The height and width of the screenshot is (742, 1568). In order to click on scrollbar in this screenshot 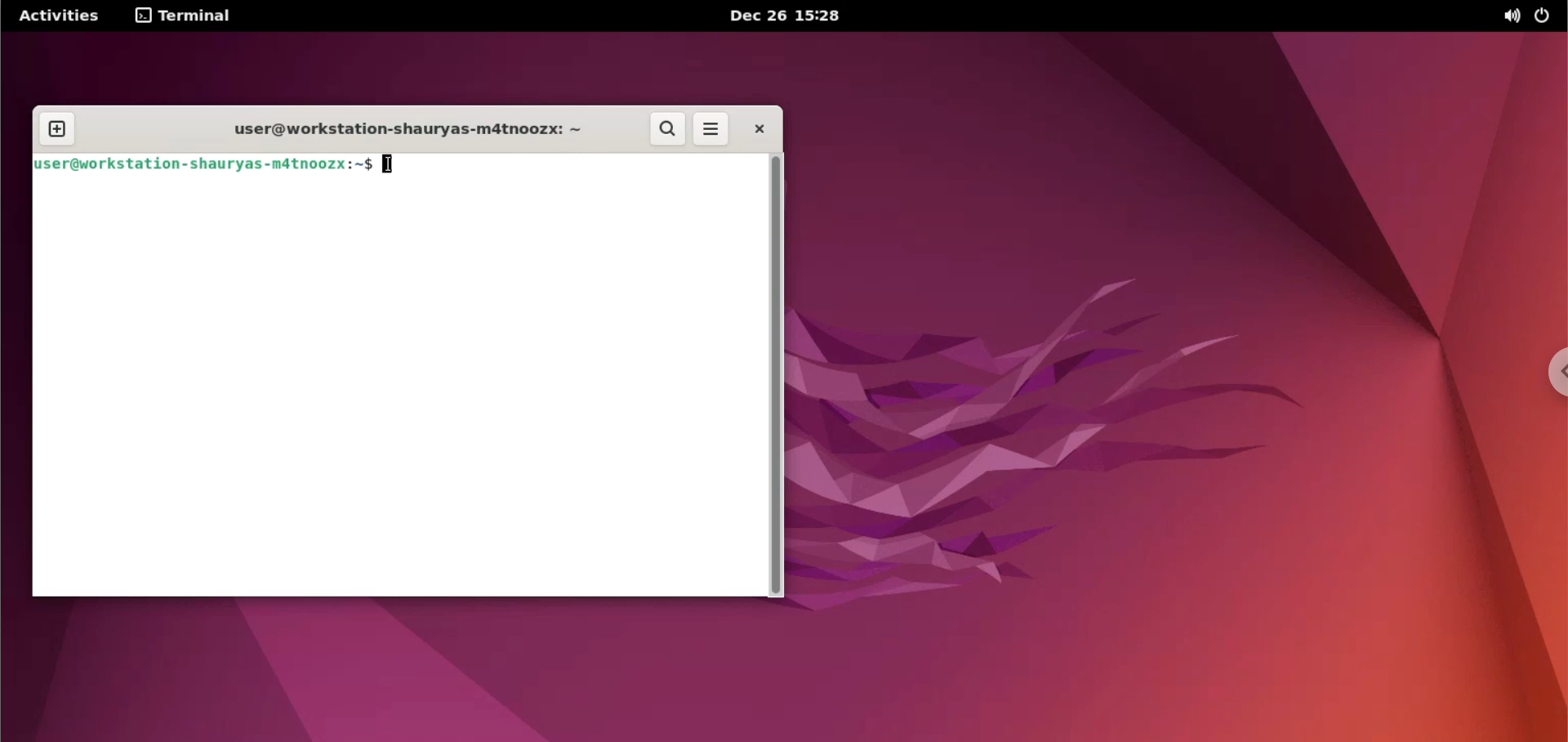, I will do `click(777, 376)`.